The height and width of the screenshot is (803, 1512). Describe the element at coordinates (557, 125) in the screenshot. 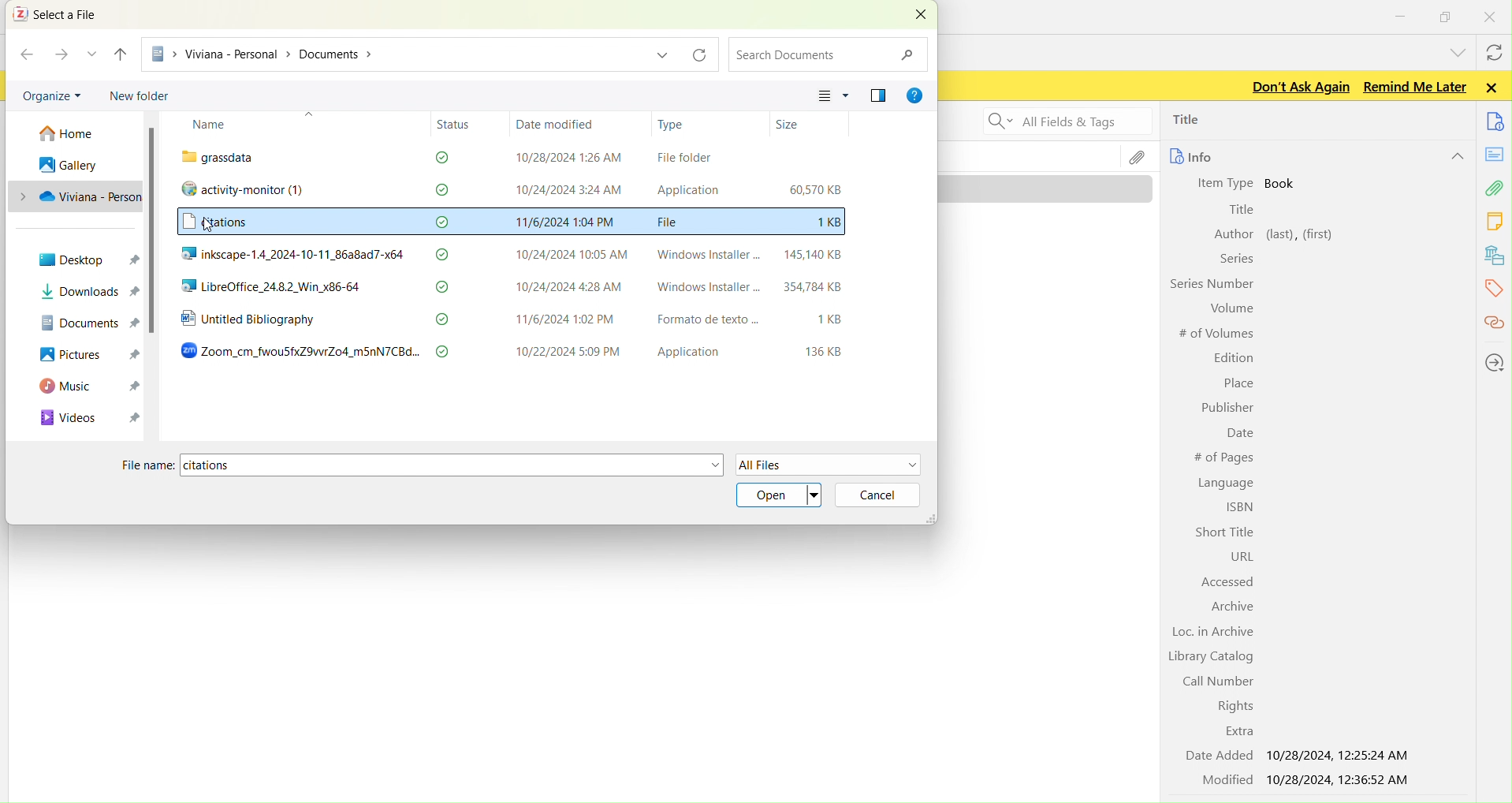

I see `Date modified` at that location.